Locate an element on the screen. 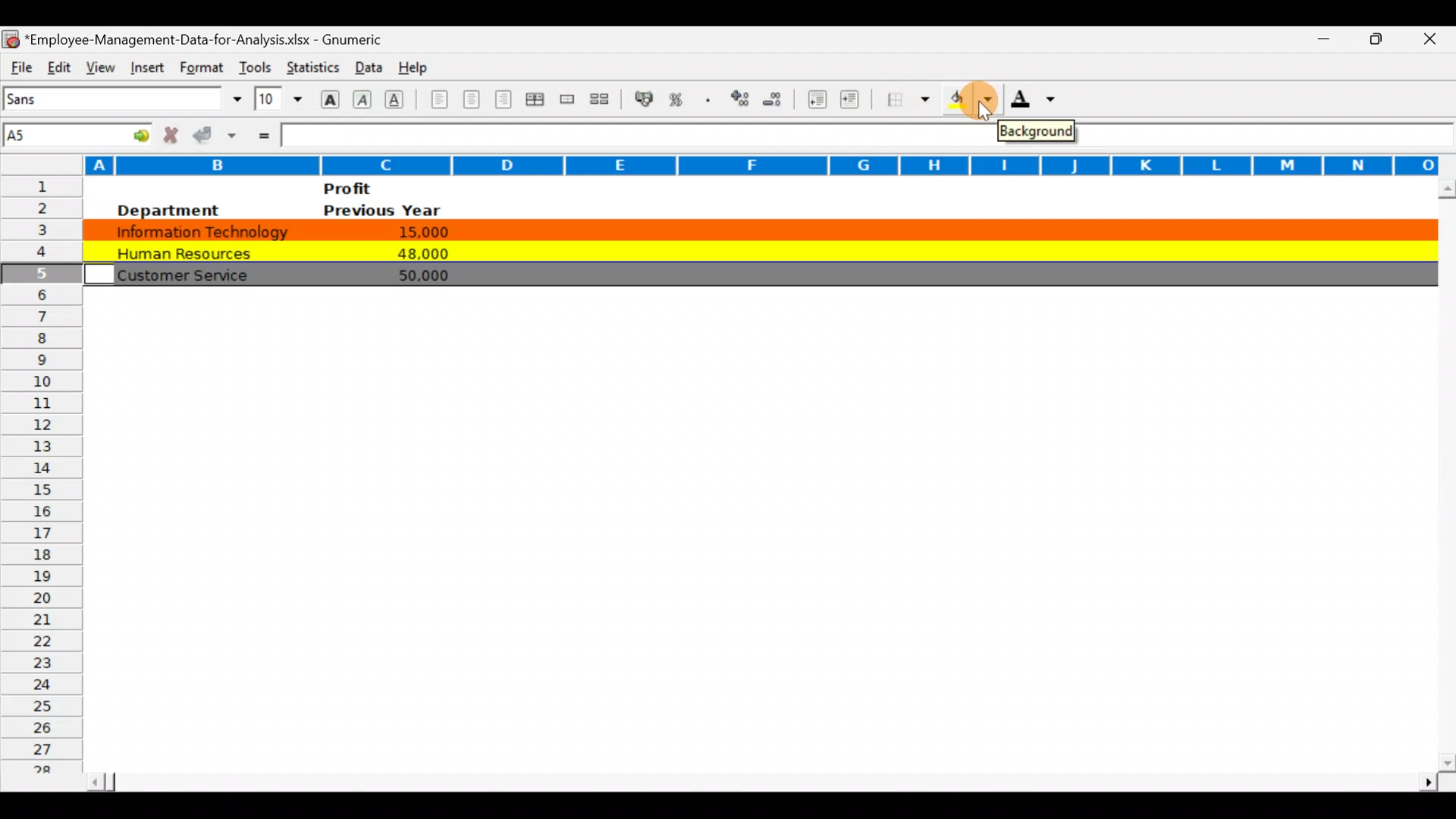 The height and width of the screenshot is (819, 1456). Cursor on background is located at coordinates (987, 100).